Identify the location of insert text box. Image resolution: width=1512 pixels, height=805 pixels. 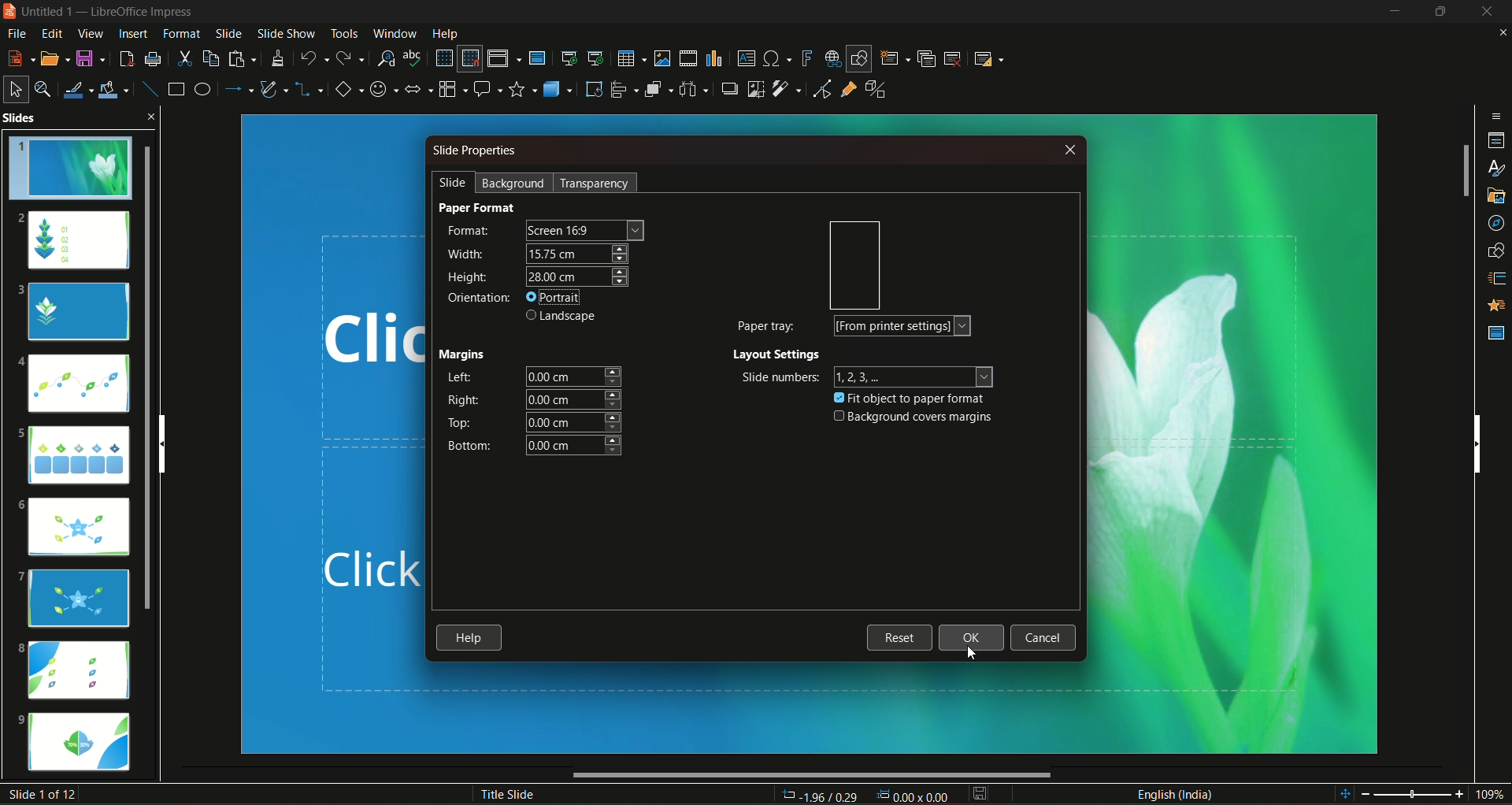
(746, 57).